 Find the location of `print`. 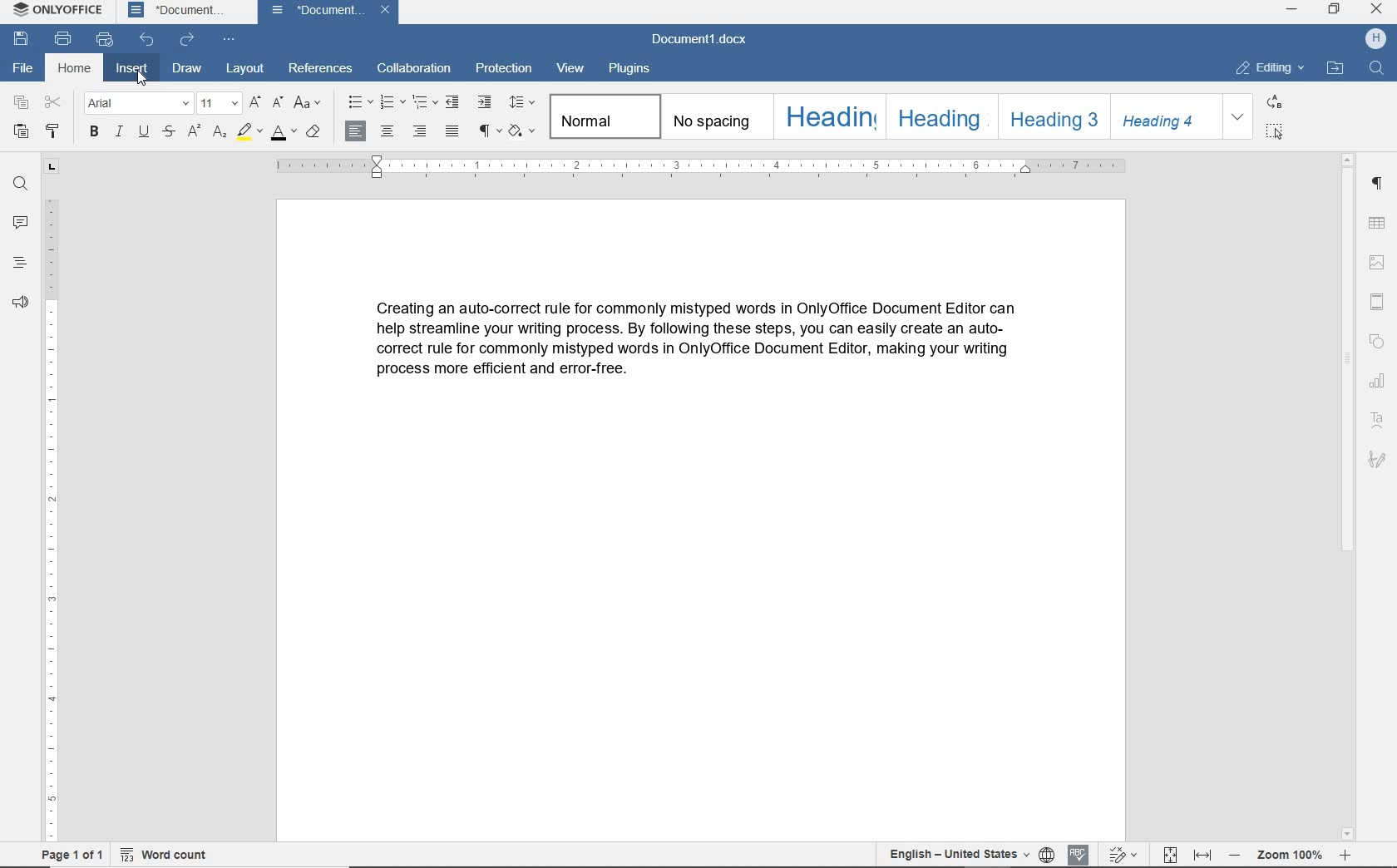

print is located at coordinates (63, 37).